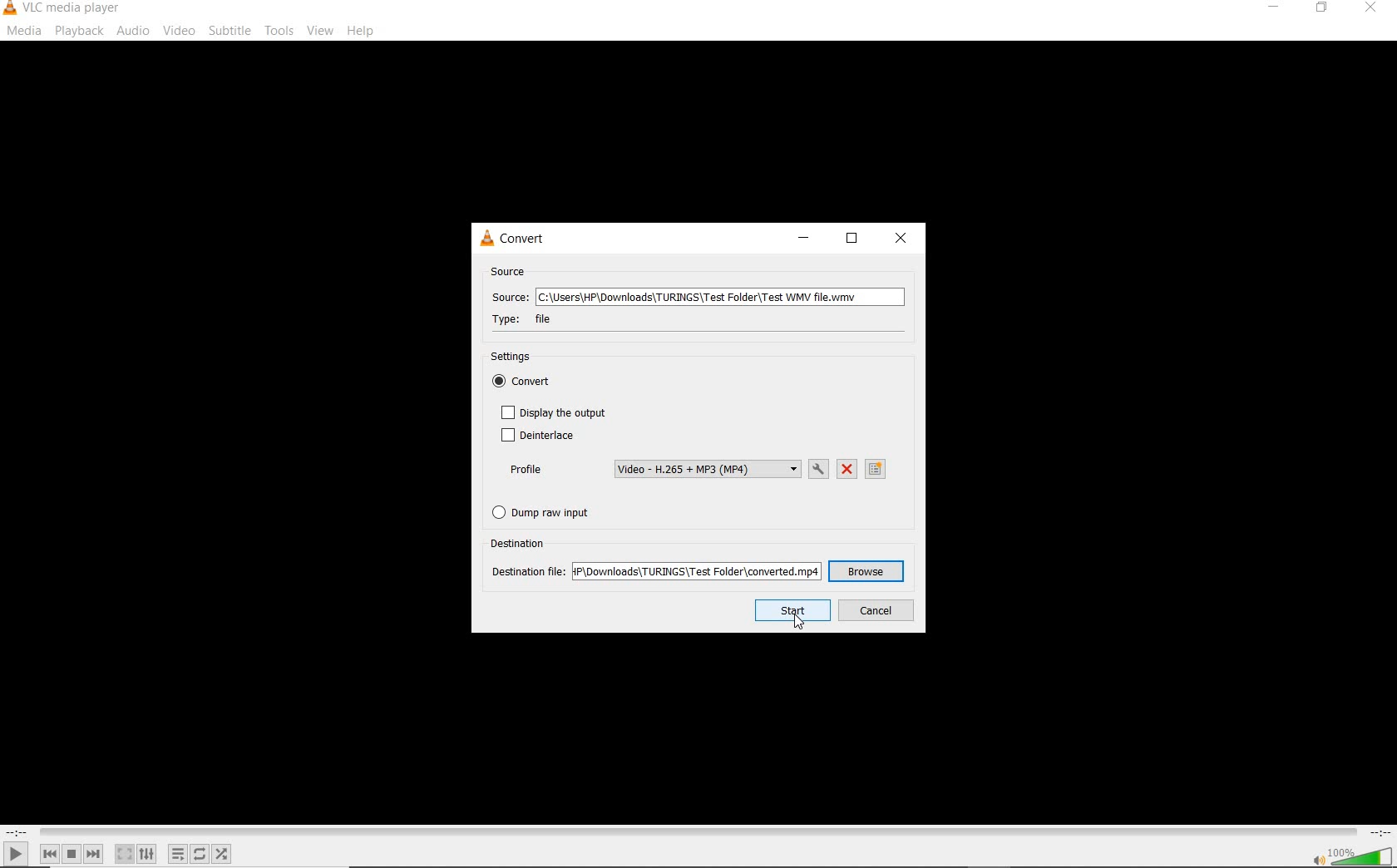  What do you see at coordinates (536, 436) in the screenshot?
I see `Deinterlace` at bounding box center [536, 436].